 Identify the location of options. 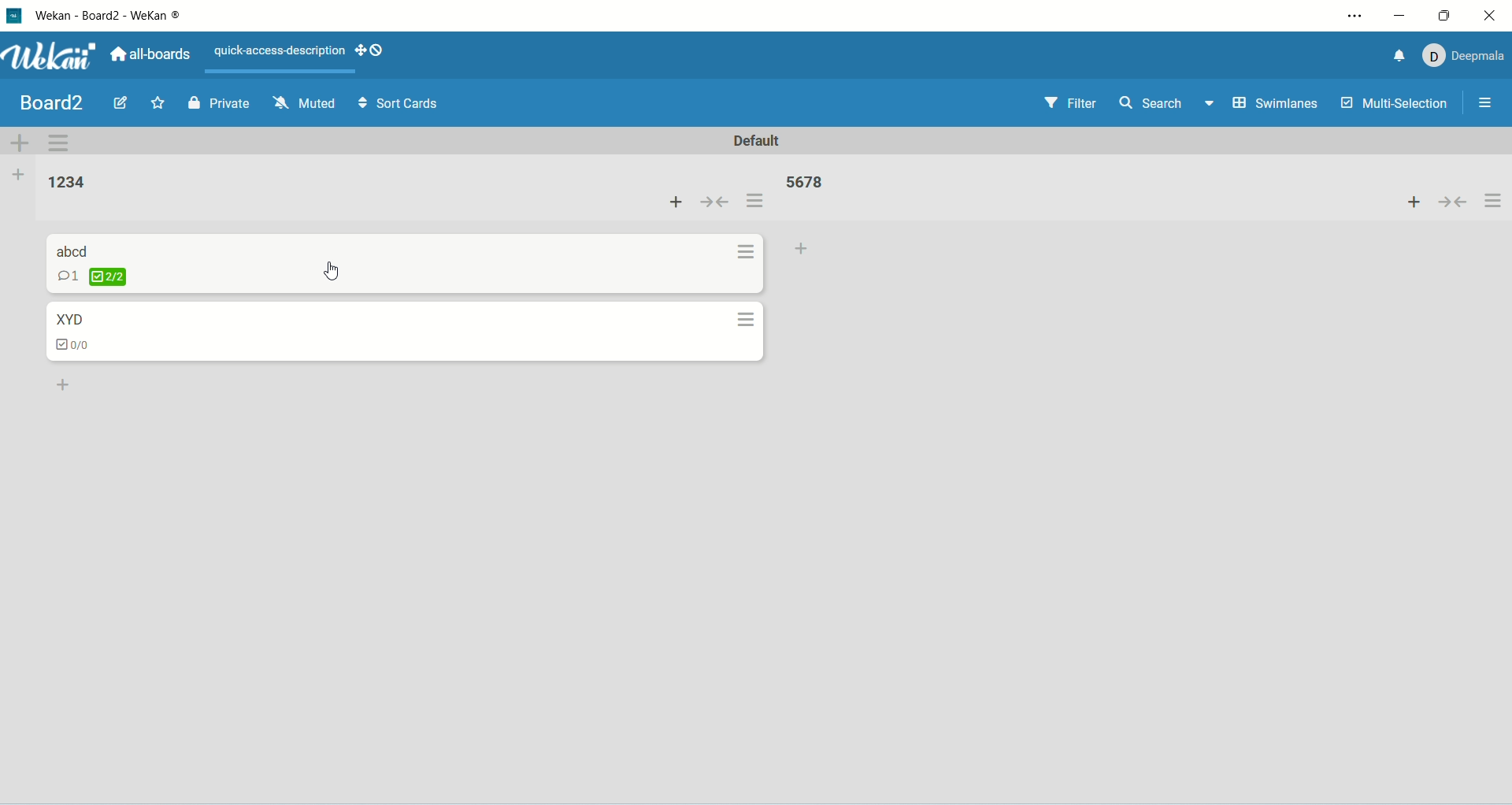
(1495, 202).